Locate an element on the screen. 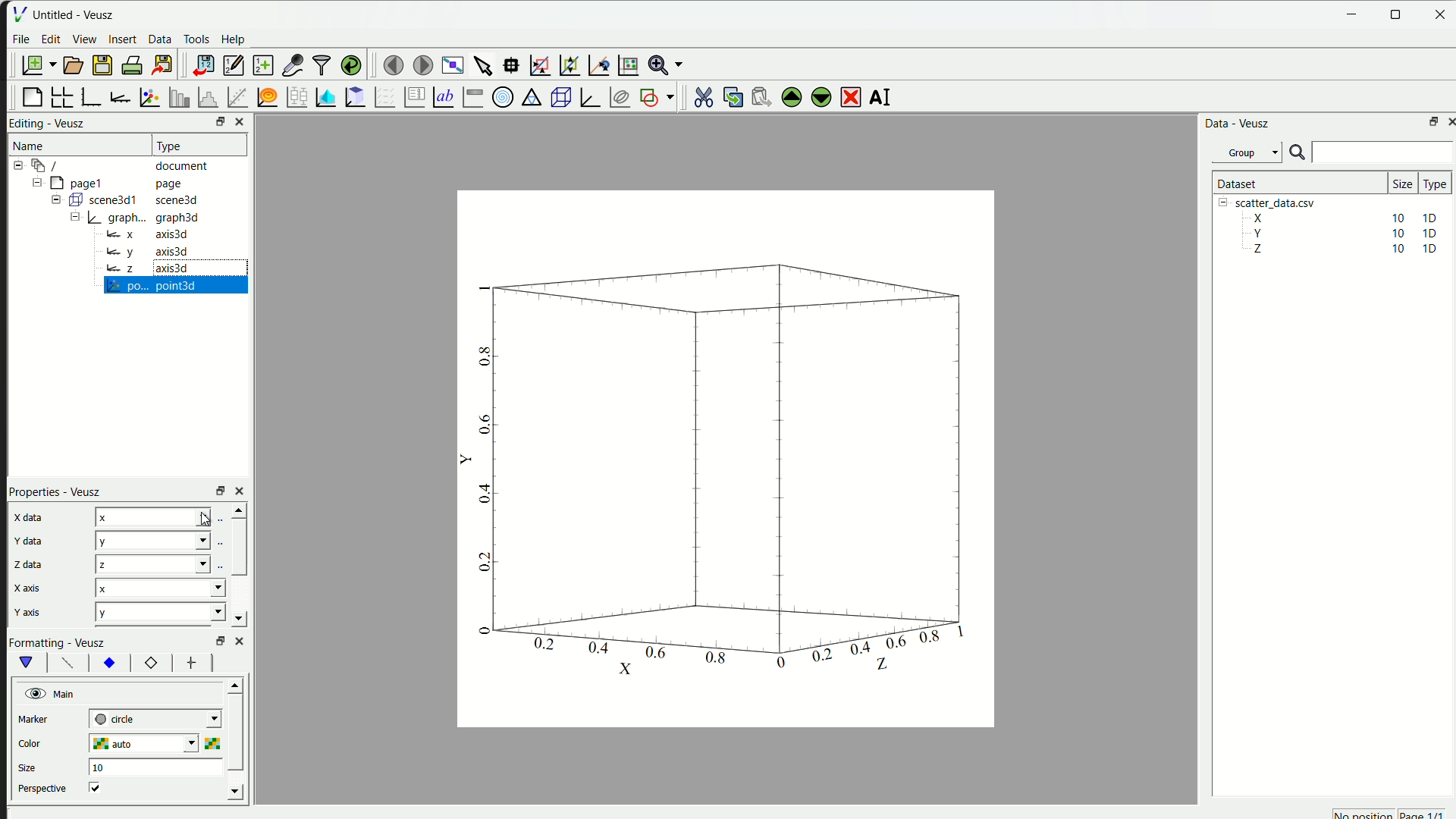 The height and width of the screenshot is (819, 1456). Z 10 10 is located at coordinates (1341, 250).